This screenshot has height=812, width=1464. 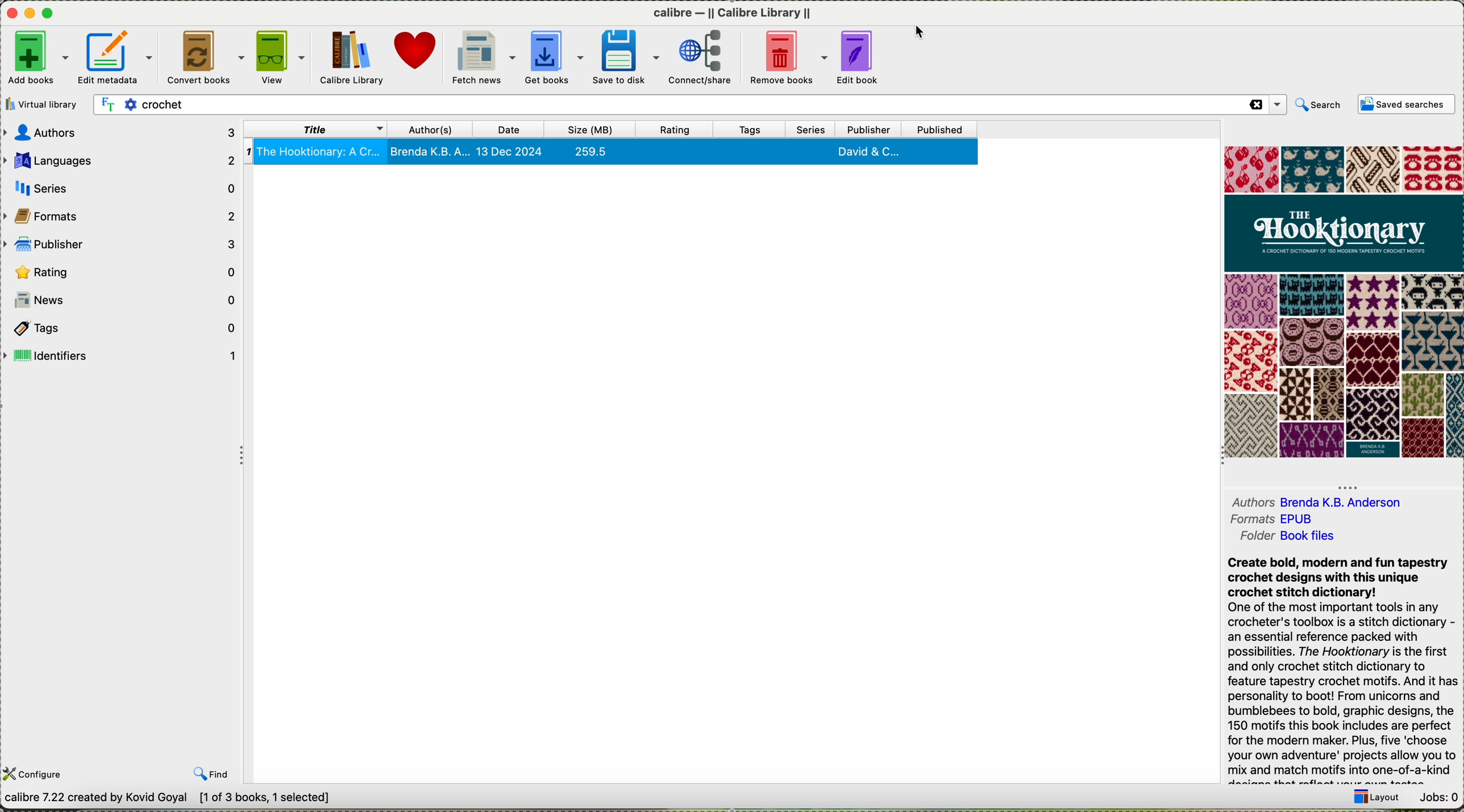 I want to click on series, so click(x=124, y=188).